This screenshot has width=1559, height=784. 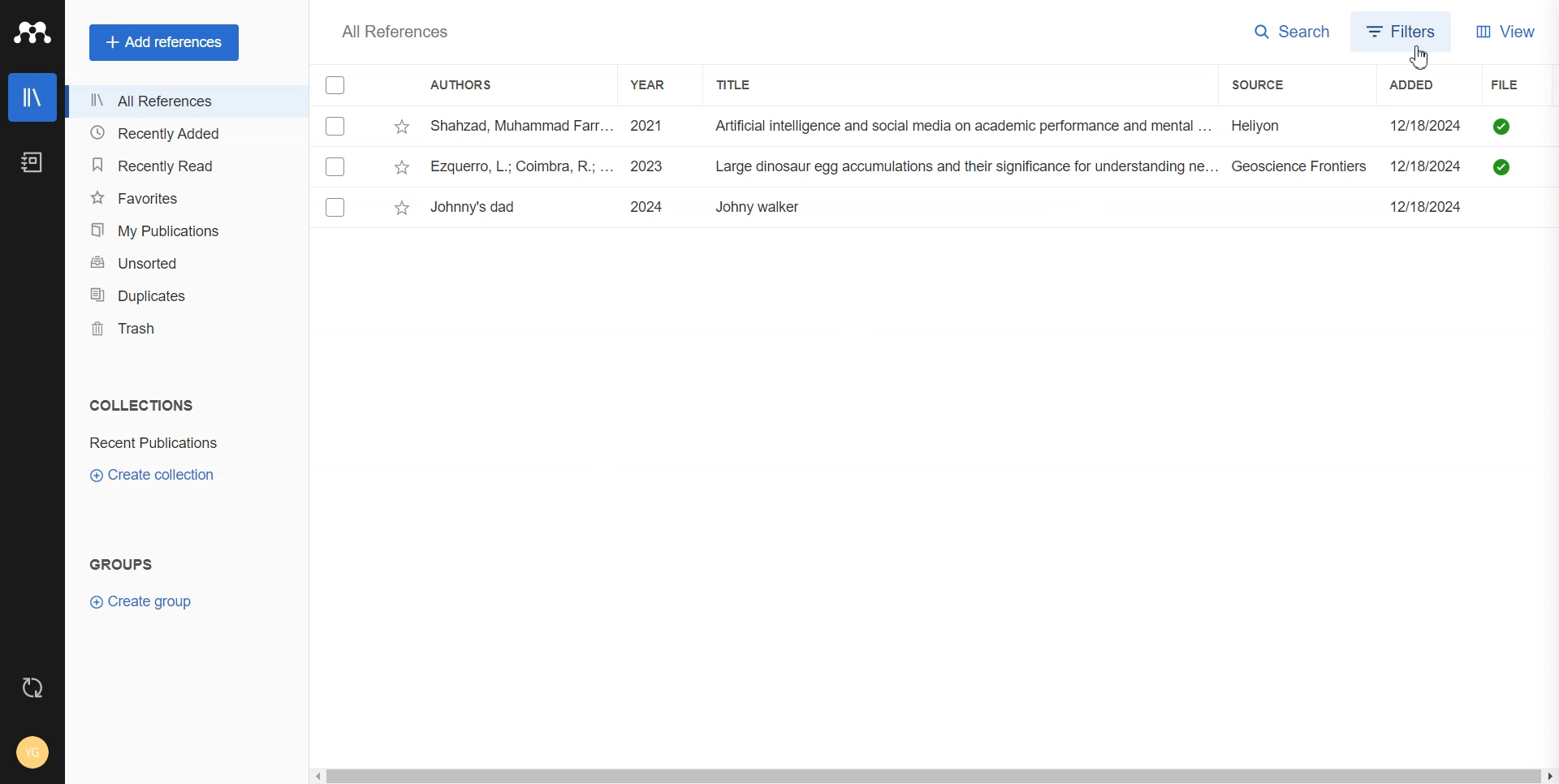 I want to click on Johnny's dad 2024 Johny walker 12/18/2024, so click(x=970, y=208).